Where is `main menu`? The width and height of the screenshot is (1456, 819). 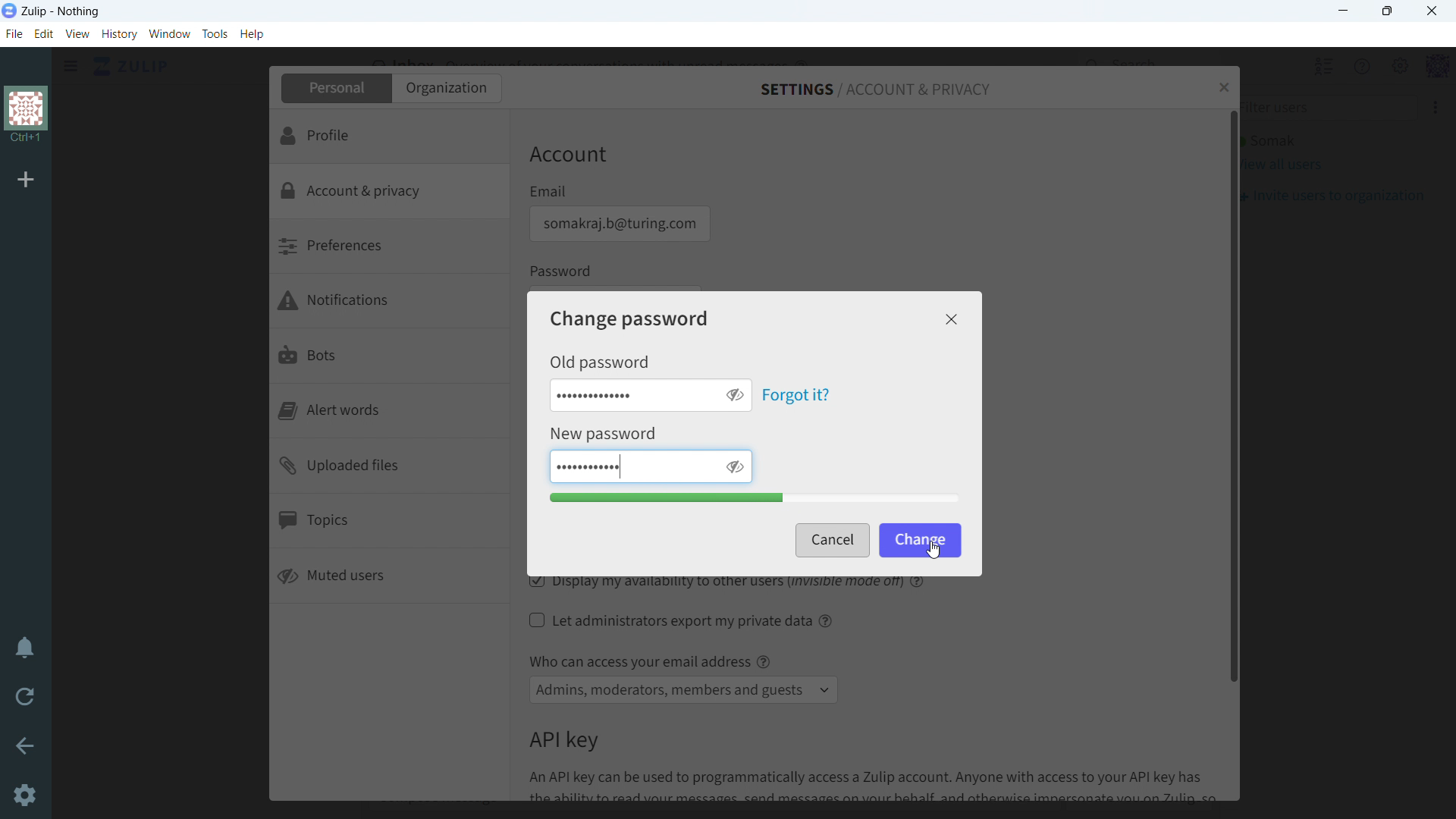 main menu is located at coordinates (1398, 67).